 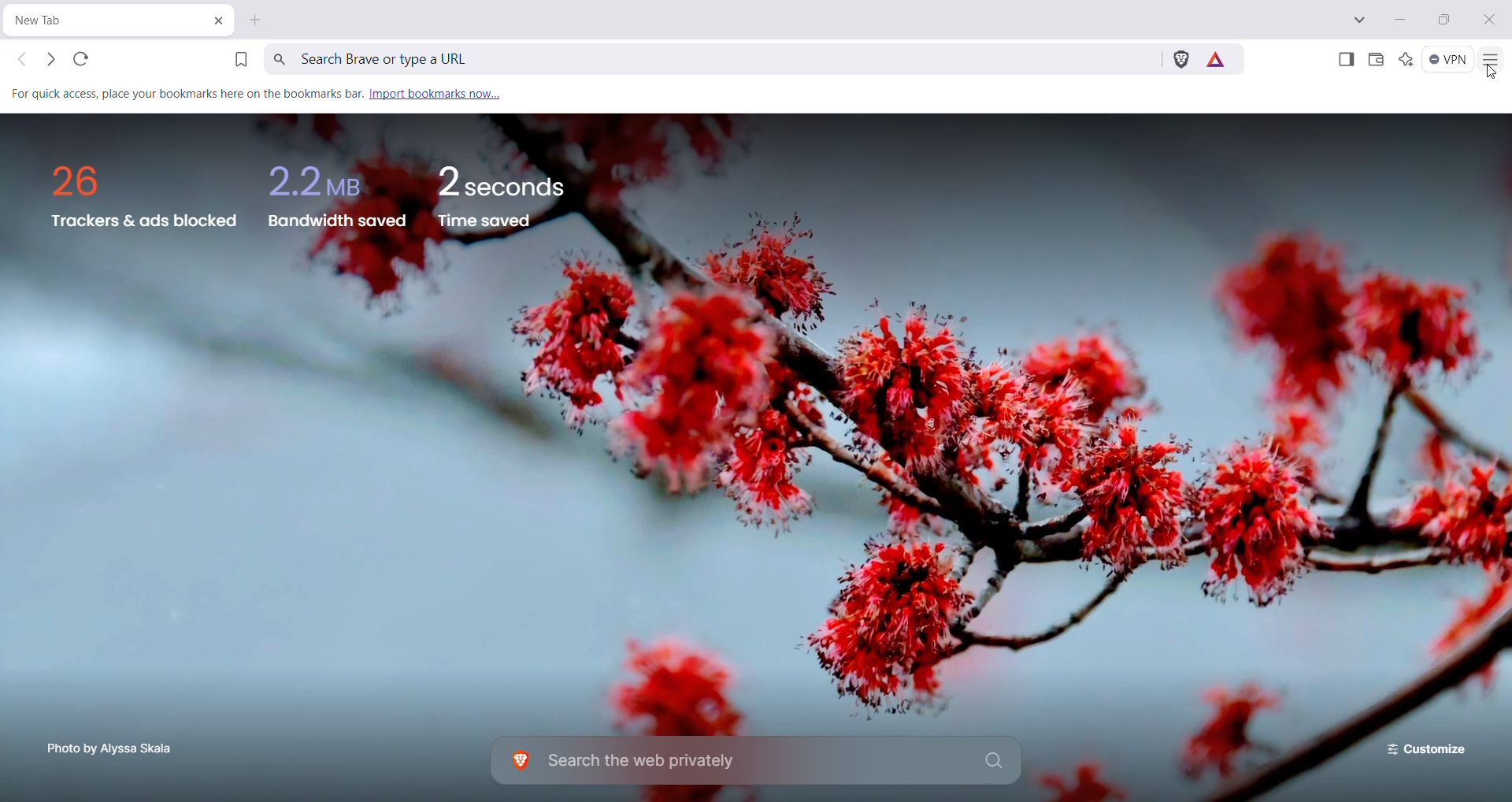 I want to click on Search Brave or type a URL, so click(x=713, y=58).